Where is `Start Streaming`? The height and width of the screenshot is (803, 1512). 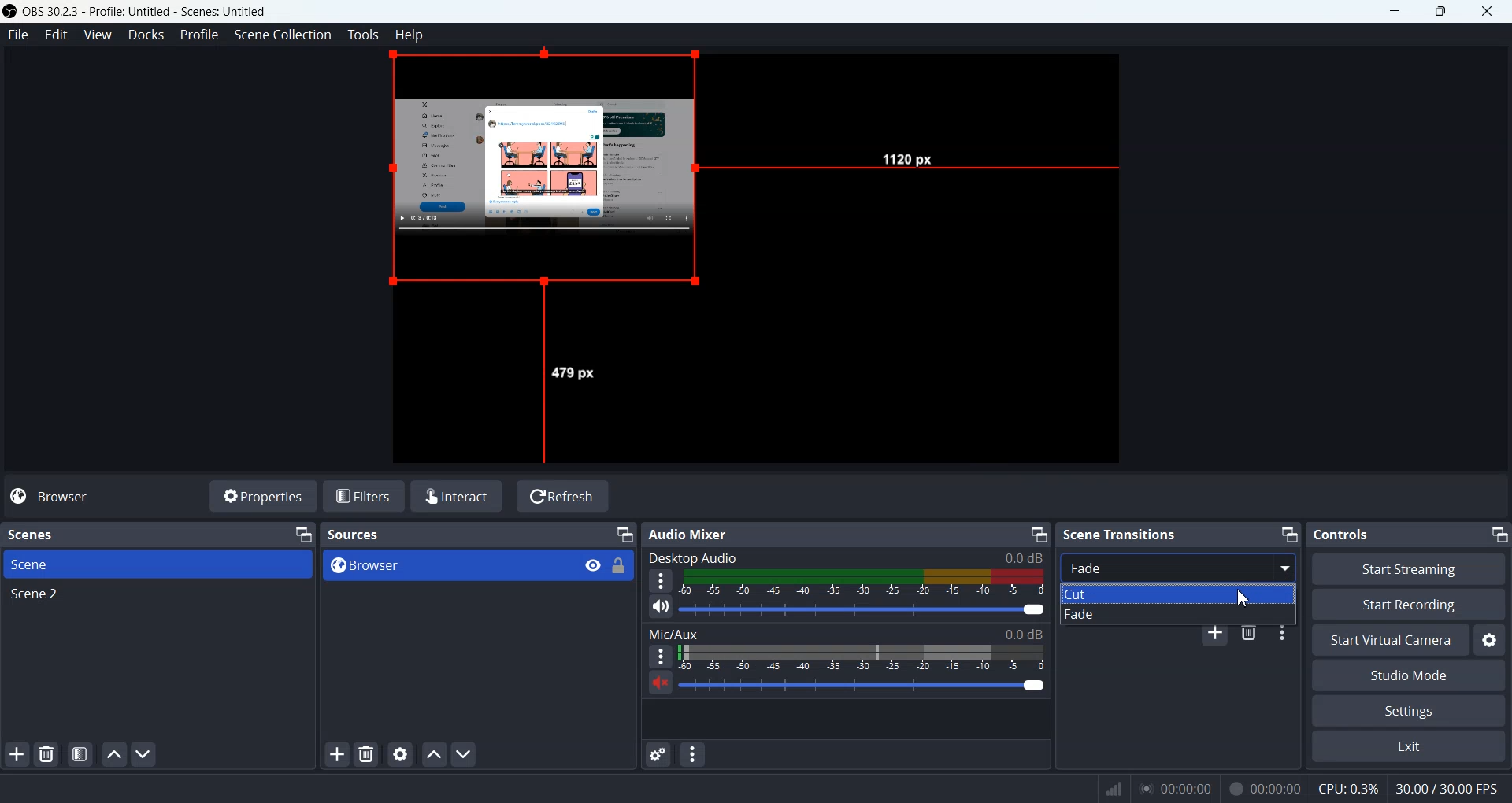
Start Streaming is located at coordinates (1407, 568).